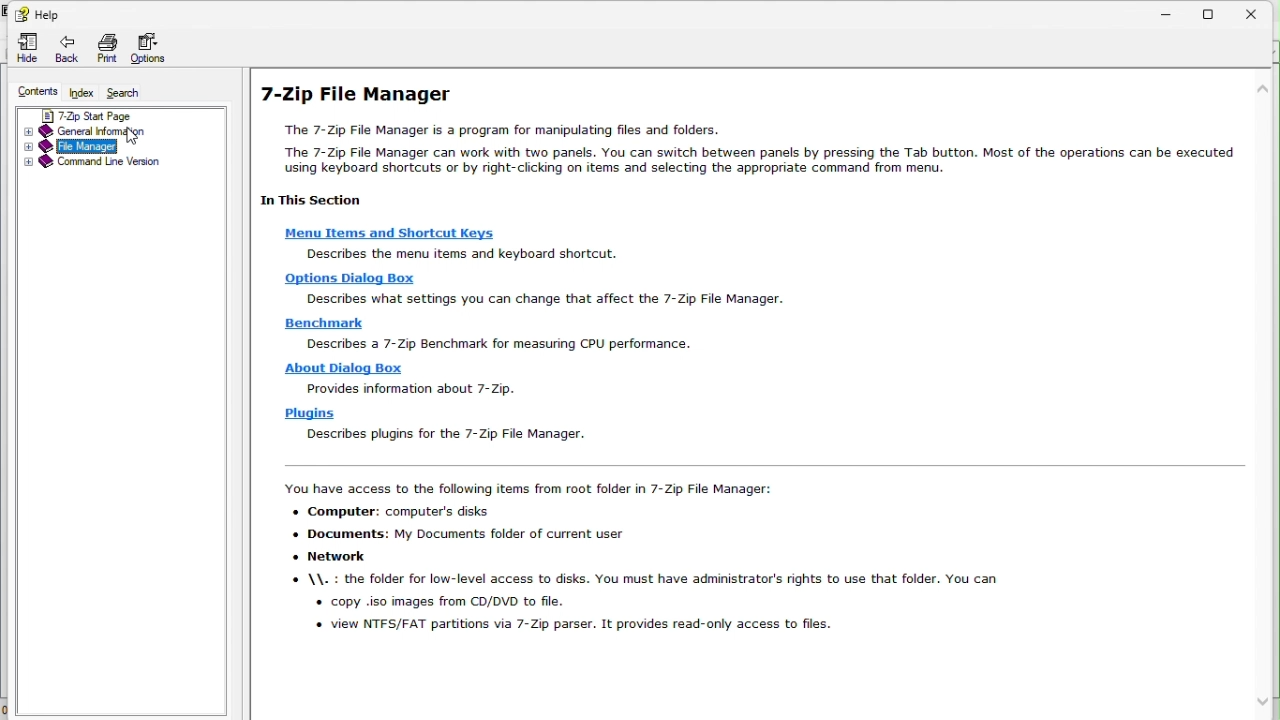 The height and width of the screenshot is (720, 1280). I want to click on about dialog box, so click(349, 369).